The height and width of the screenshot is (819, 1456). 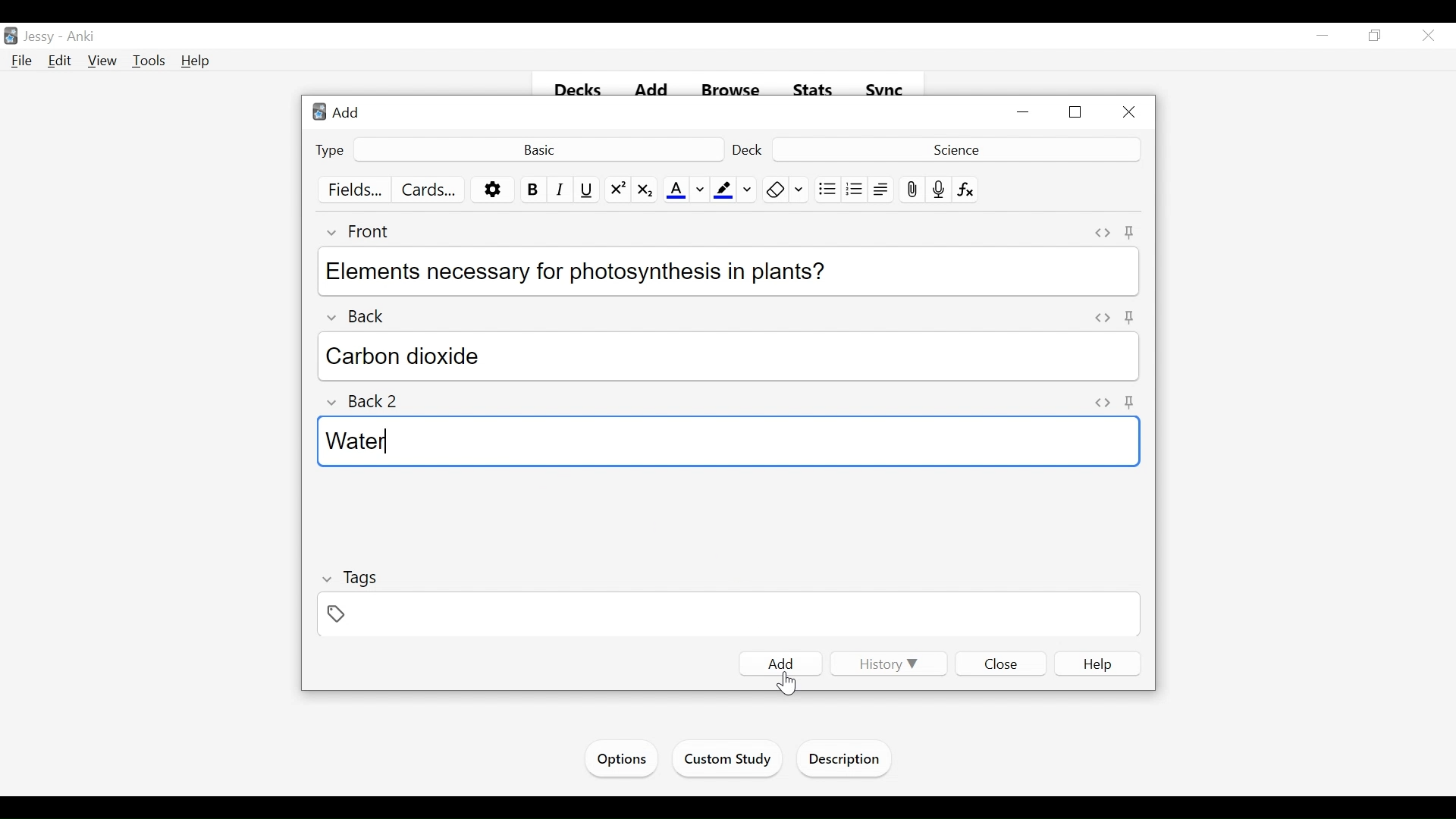 I want to click on Decks, so click(x=579, y=91).